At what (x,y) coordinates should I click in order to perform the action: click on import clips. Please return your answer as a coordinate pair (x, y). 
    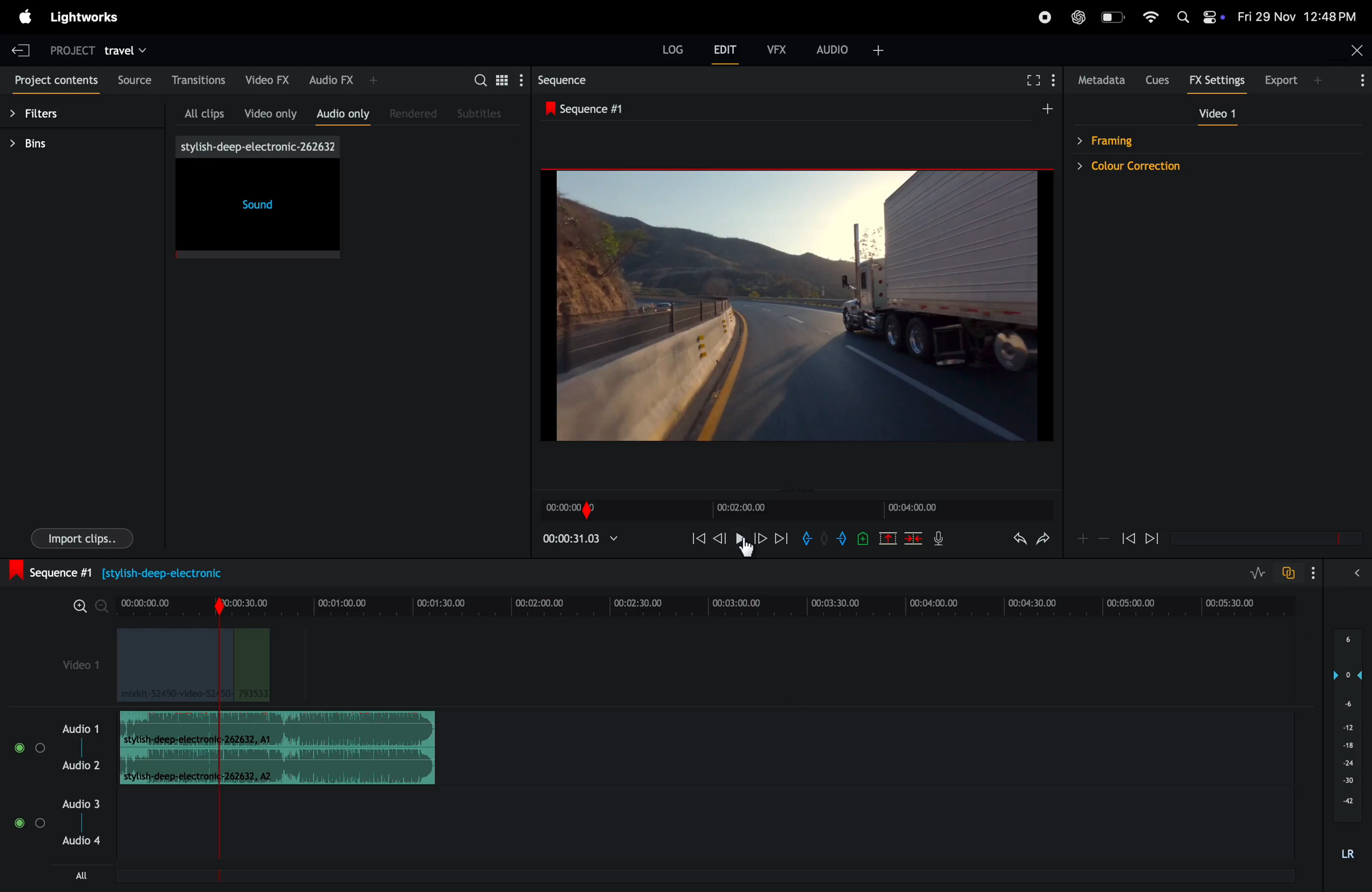
    Looking at the image, I should click on (85, 536).